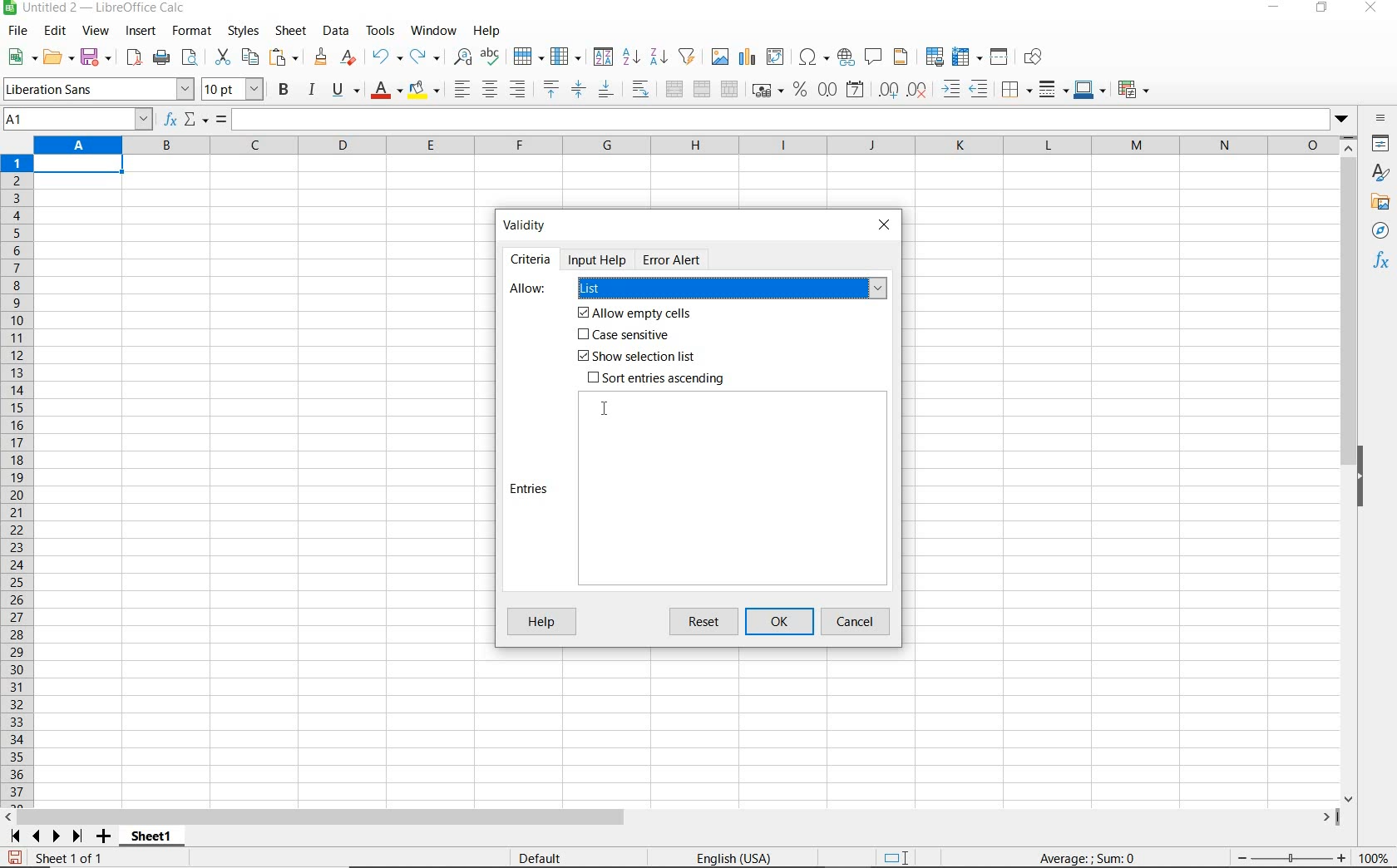 The width and height of the screenshot is (1397, 868). I want to click on select function, so click(196, 121).